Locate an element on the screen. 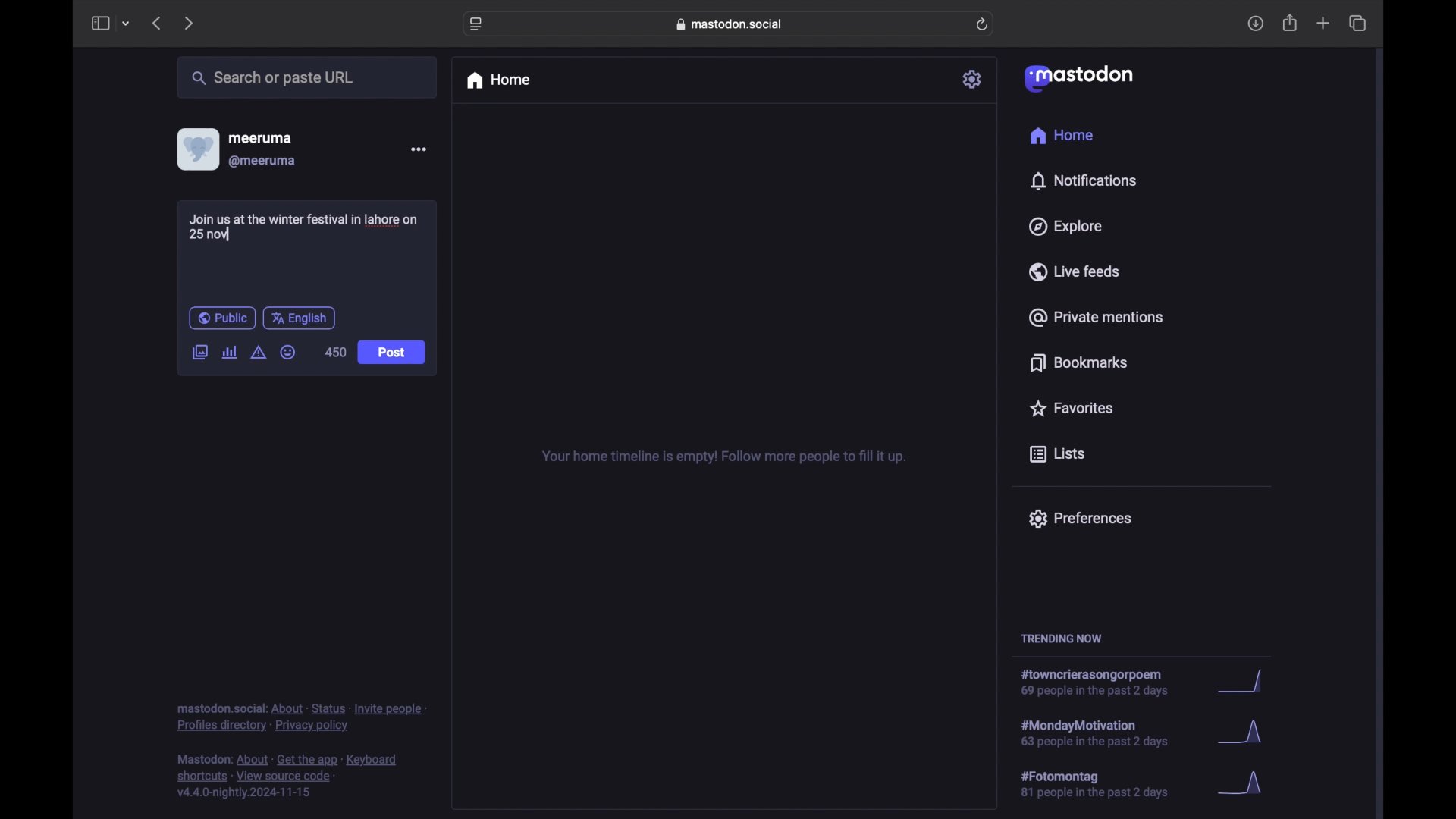 This screenshot has width=1456, height=819. show tab overview is located at coordinates (1357, 24).